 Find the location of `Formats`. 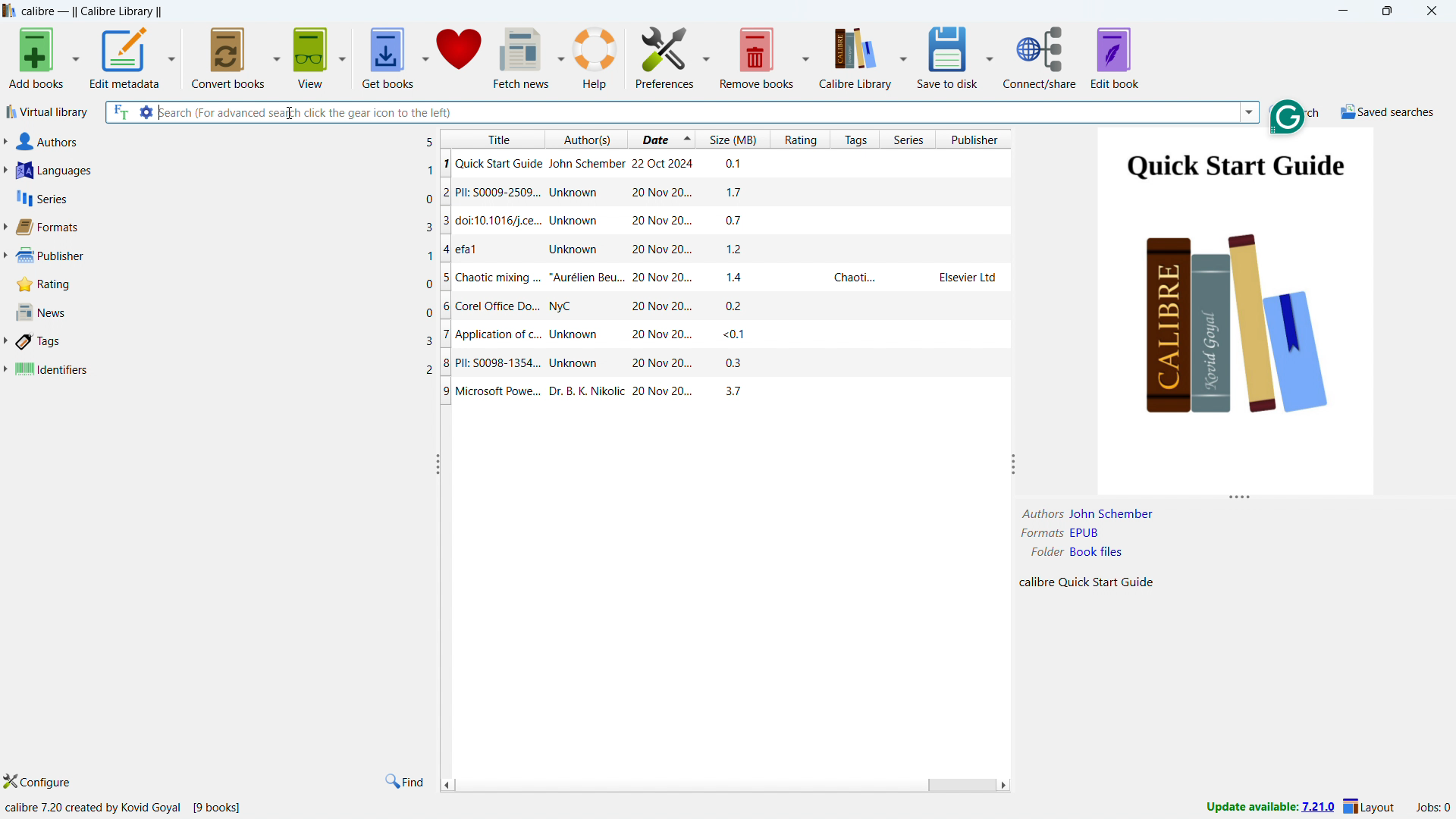

Formats is located at coordinates (1038, 535).